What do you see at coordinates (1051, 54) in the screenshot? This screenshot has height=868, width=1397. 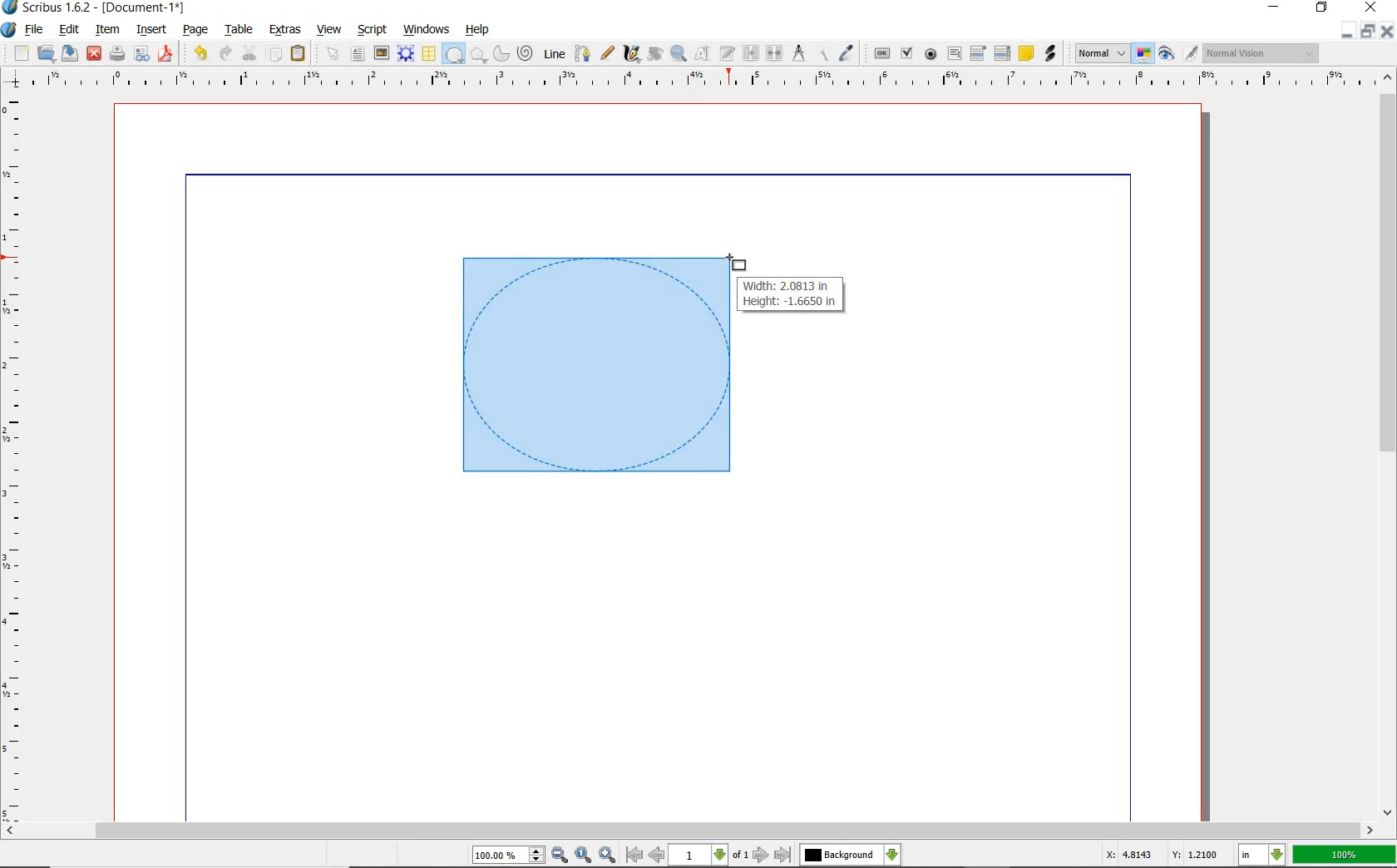 I see `LINK ANNOTATION` at bounding box center [1051, 54].